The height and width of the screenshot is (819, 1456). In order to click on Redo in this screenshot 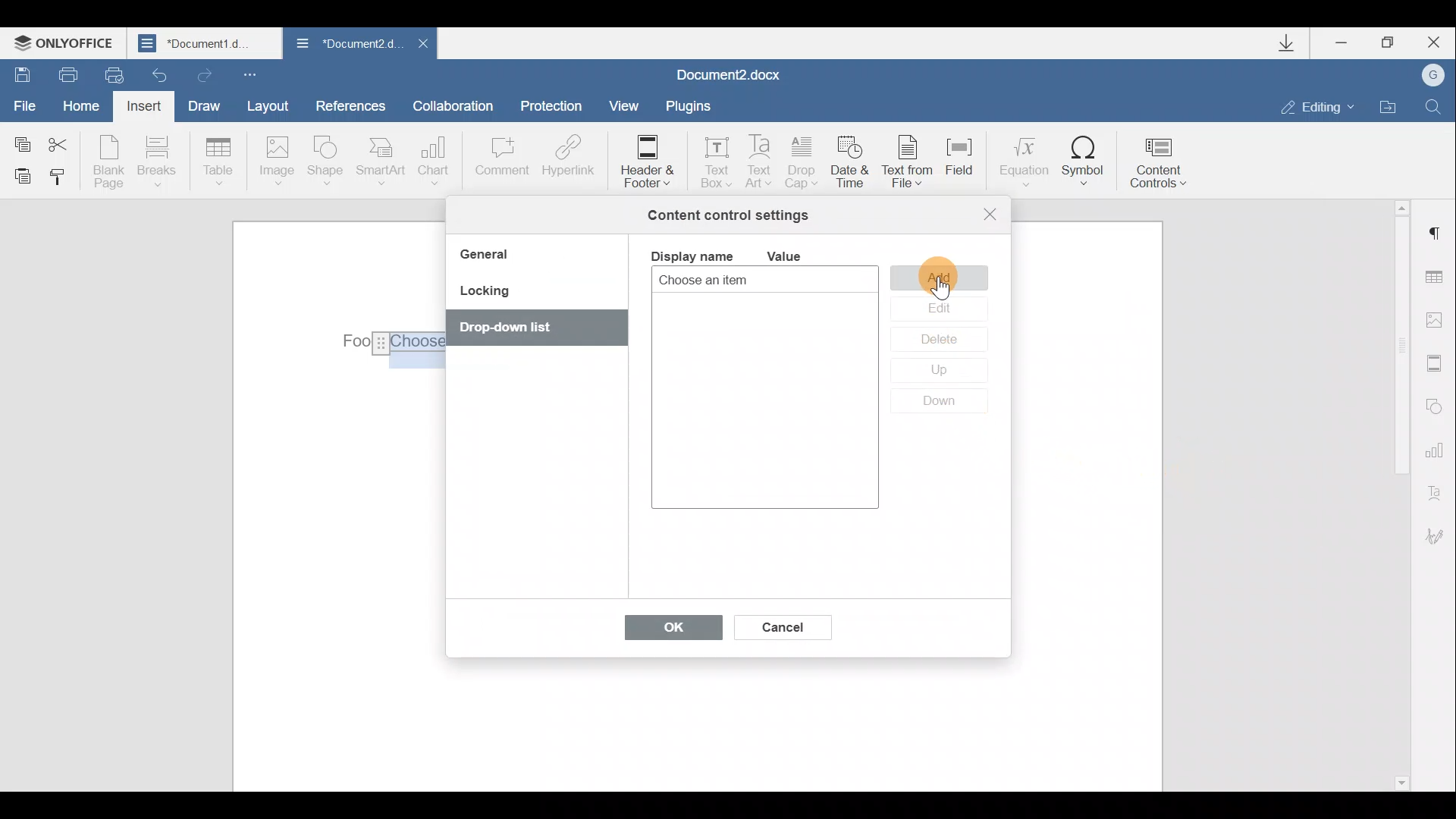, I will do `click(202, 72)`.